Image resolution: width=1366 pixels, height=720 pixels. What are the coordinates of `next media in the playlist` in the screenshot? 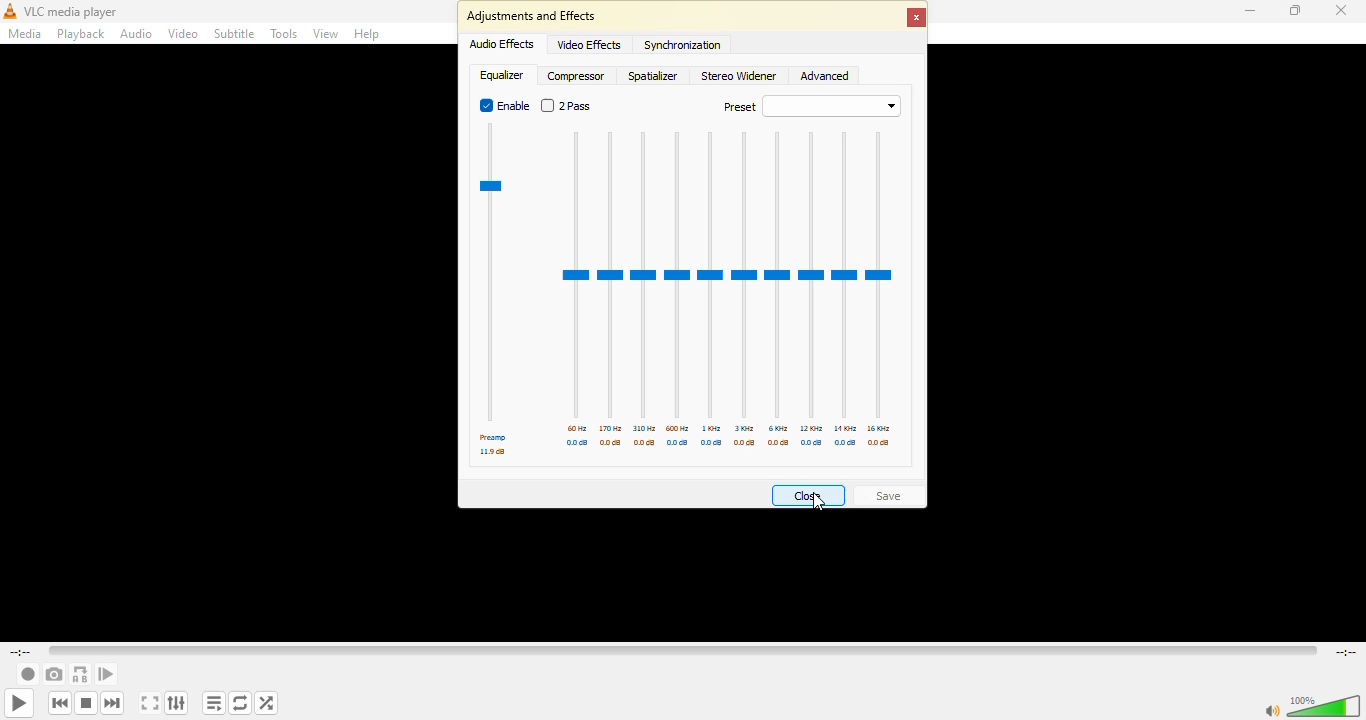 It's located at (112, 703).